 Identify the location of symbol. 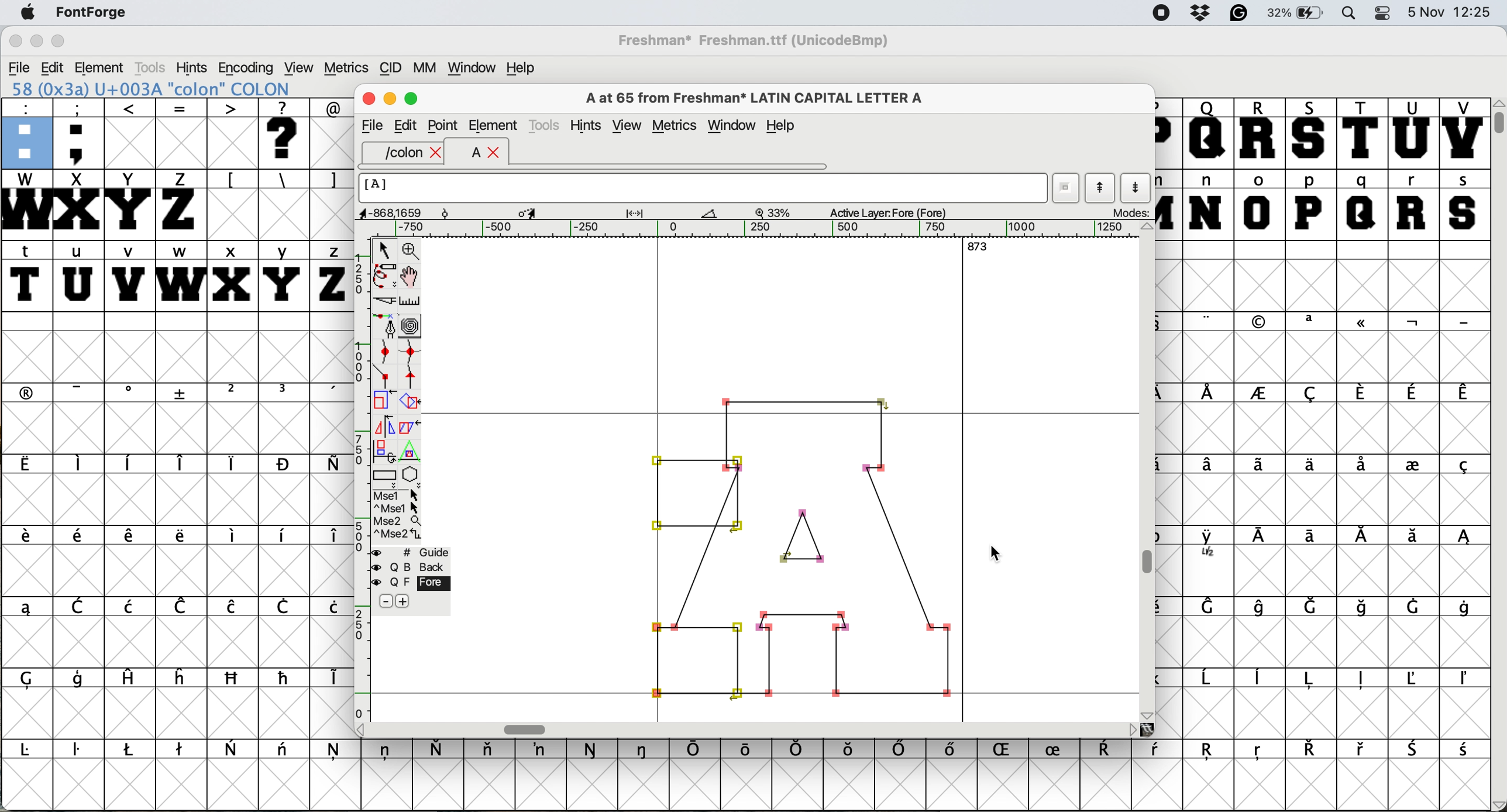
(285, 752).